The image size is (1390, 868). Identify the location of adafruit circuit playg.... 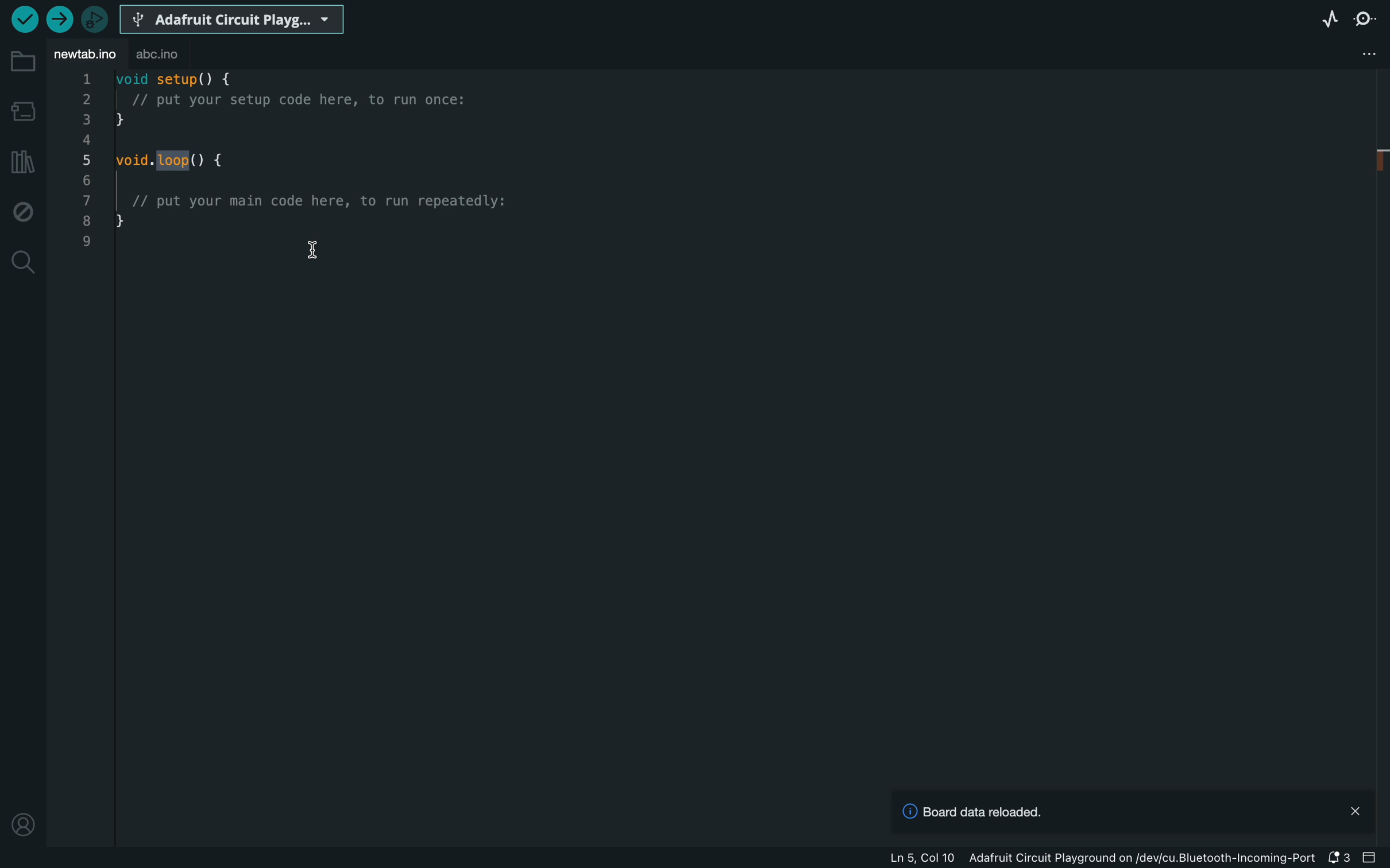
(231, 20).